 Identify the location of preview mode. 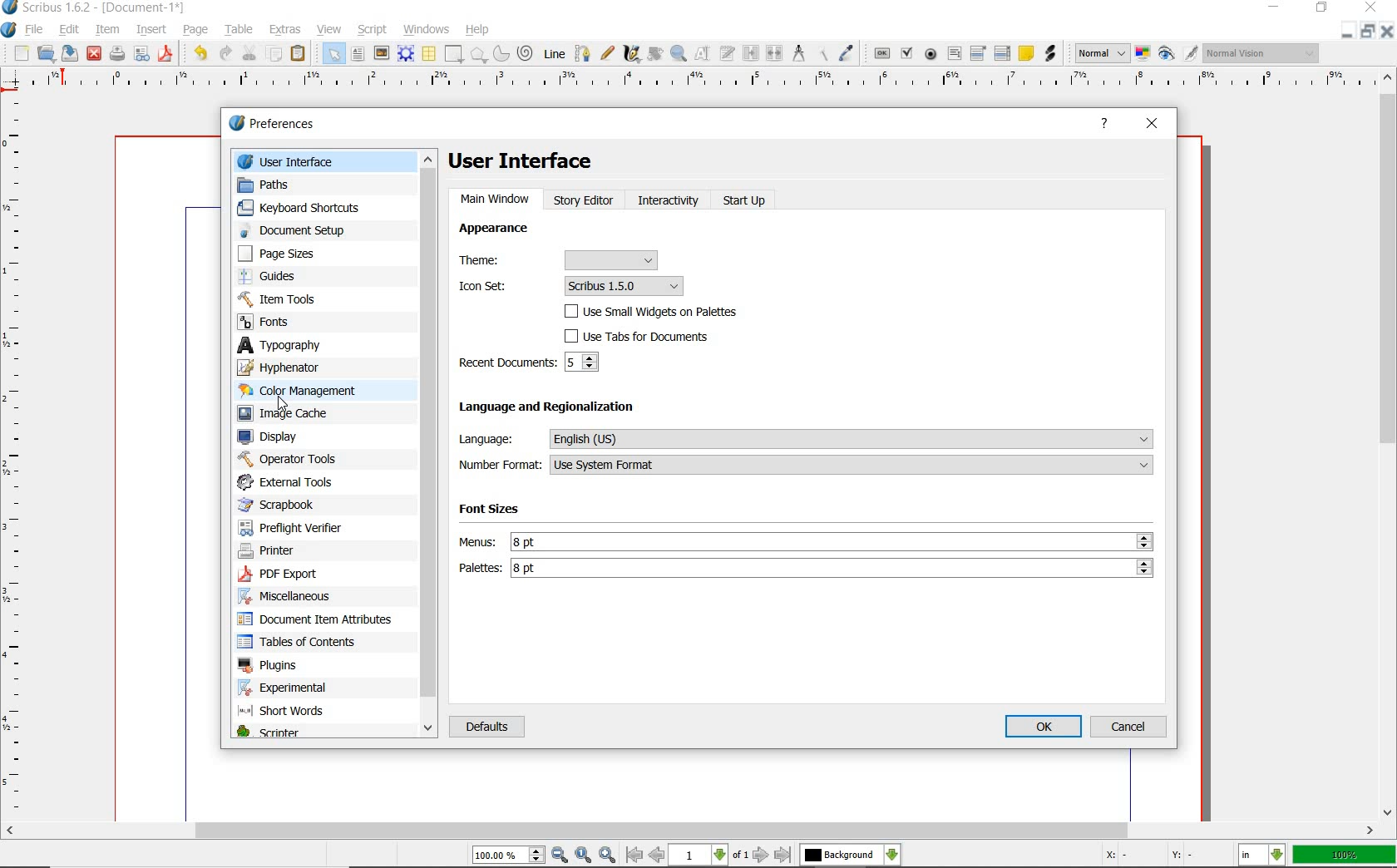
(1177, 55).